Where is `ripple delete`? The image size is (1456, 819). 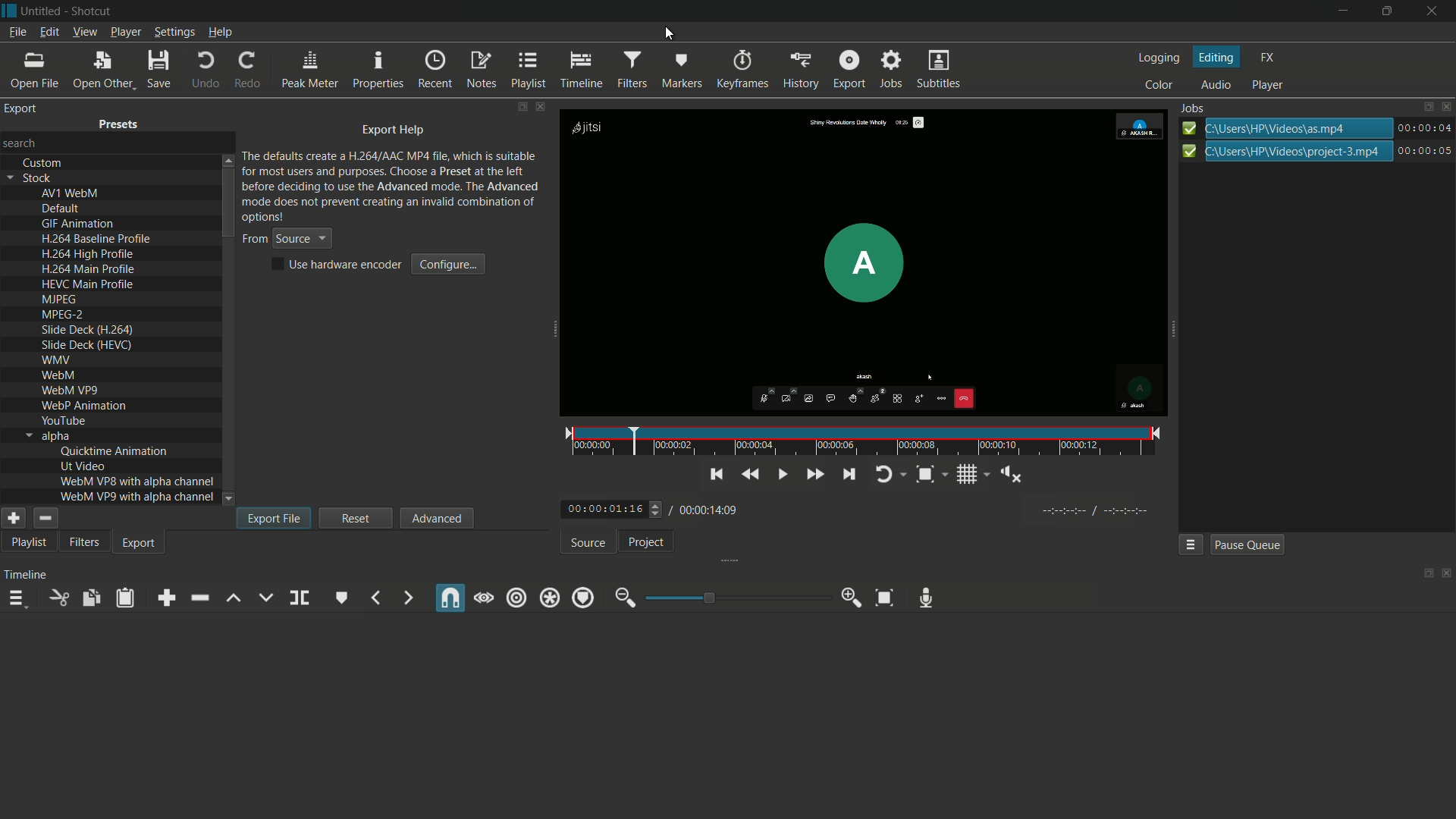 ripple delete is located at coordinates (198, 598).